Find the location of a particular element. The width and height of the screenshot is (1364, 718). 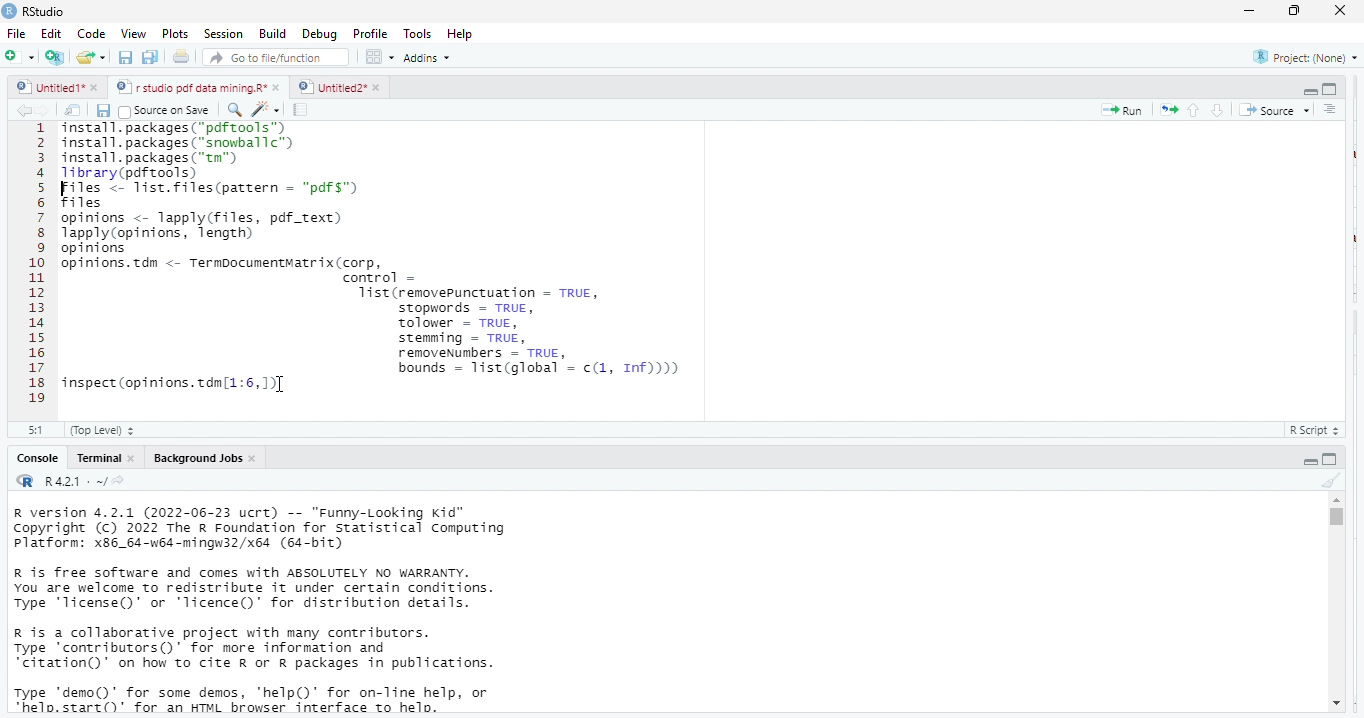

R421: ~/ is located at coordinates (84, 482).